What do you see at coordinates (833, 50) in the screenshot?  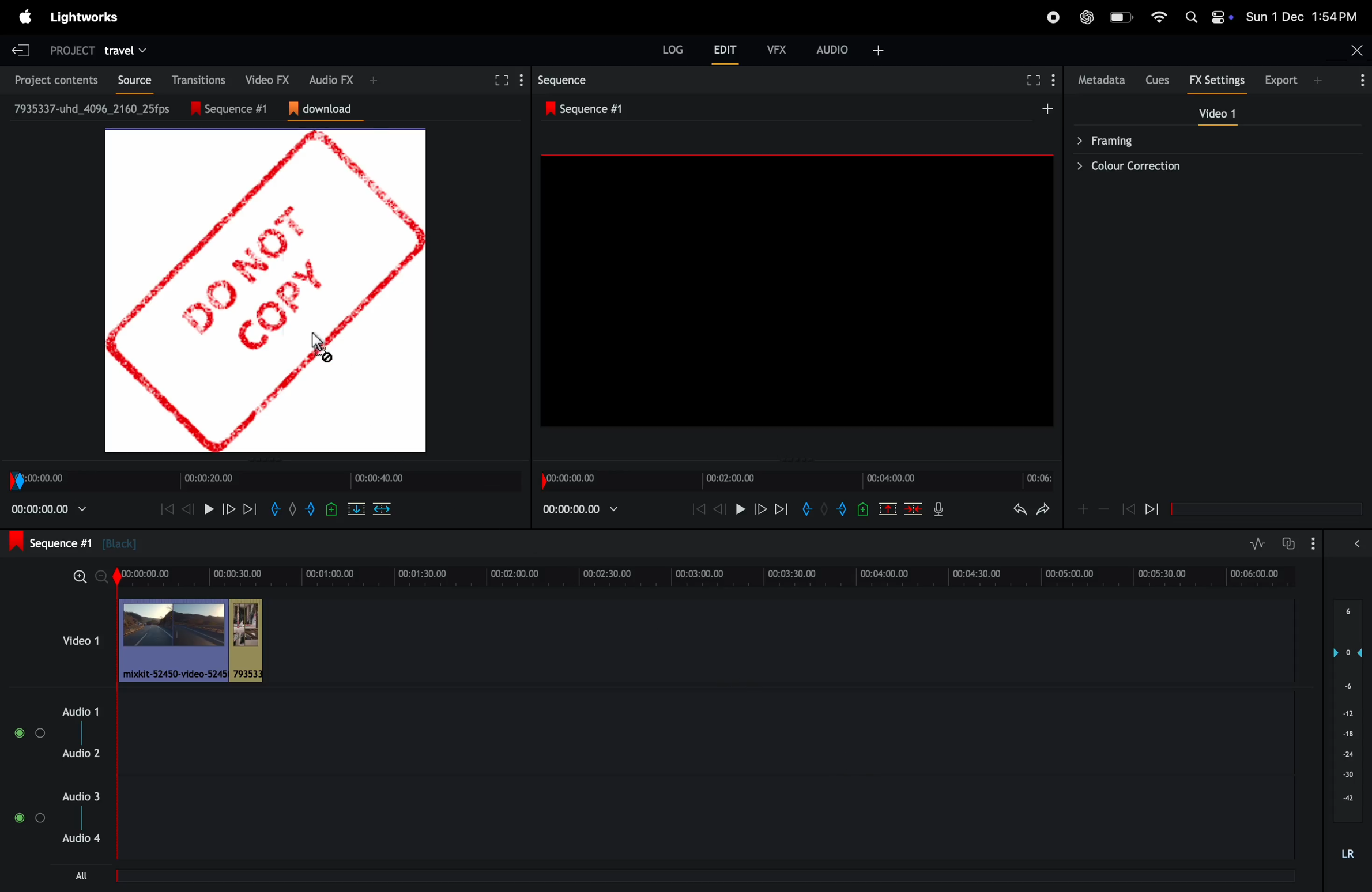 I see `audio +` at bounding box center [833, 50].